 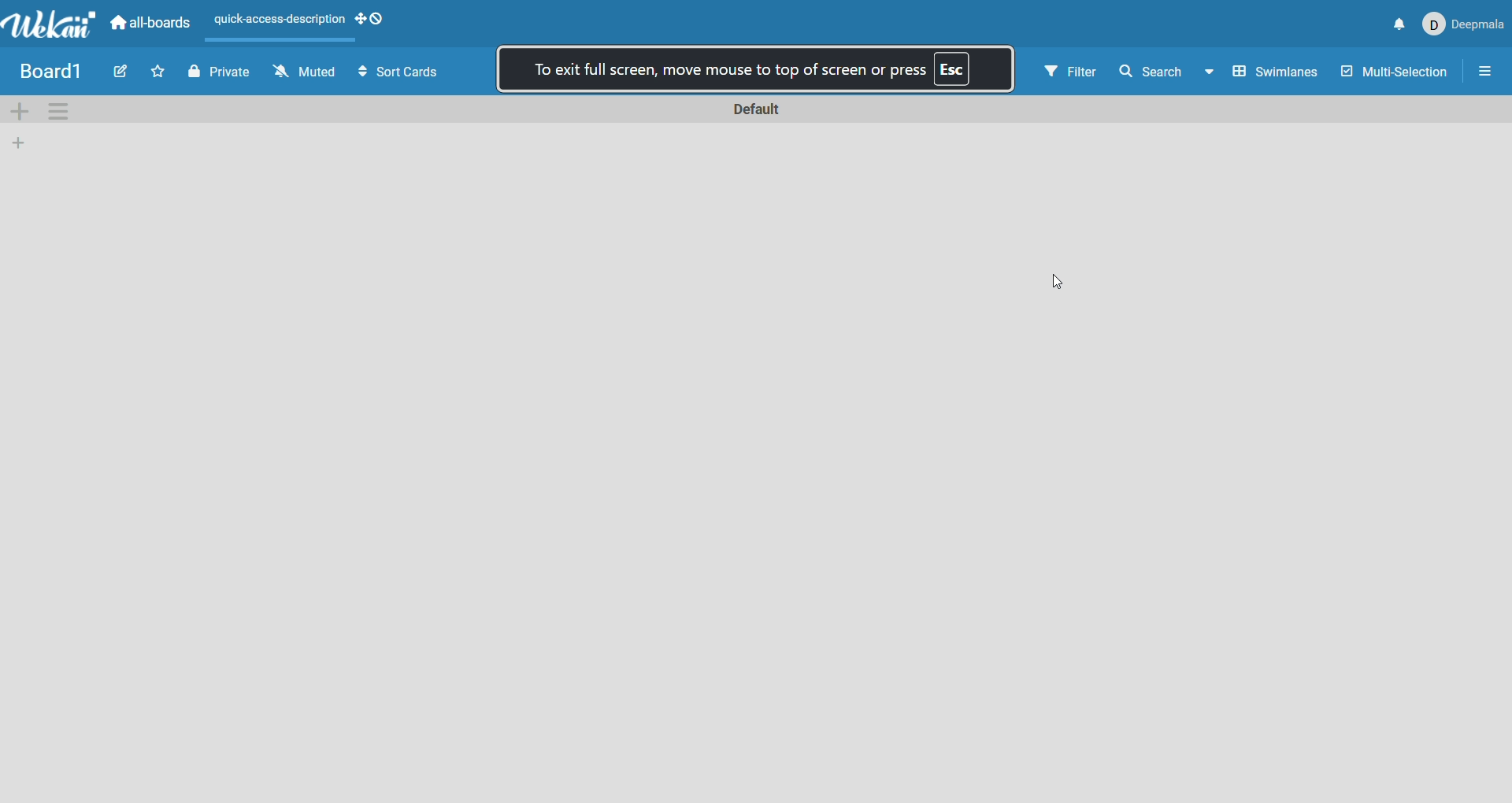 I want to click on show-desktop-drag-handles, so click(x=360, y=20).